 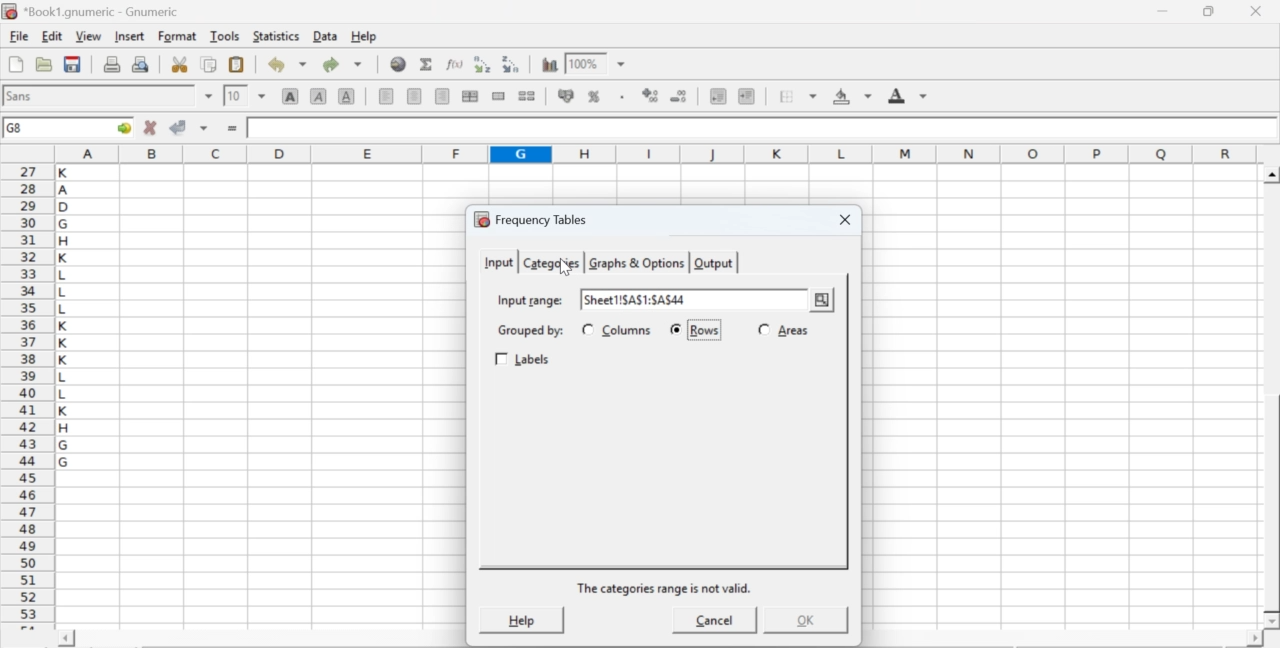 What do you see at coordinates (470, 96) in the screenshot?
I see `center horizontally` at bounding box center [470, 96].